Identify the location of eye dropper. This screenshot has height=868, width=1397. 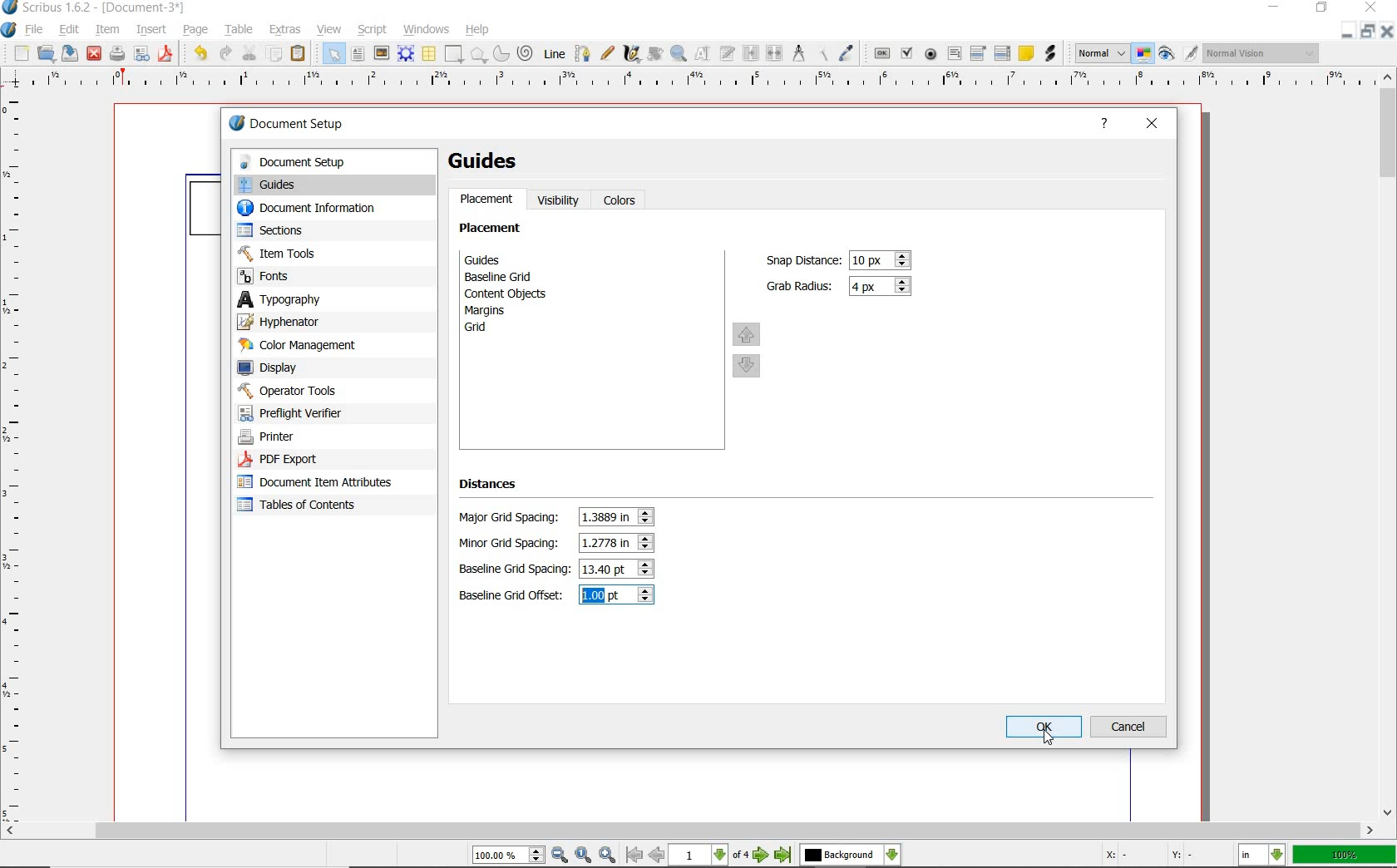
(848, 52).